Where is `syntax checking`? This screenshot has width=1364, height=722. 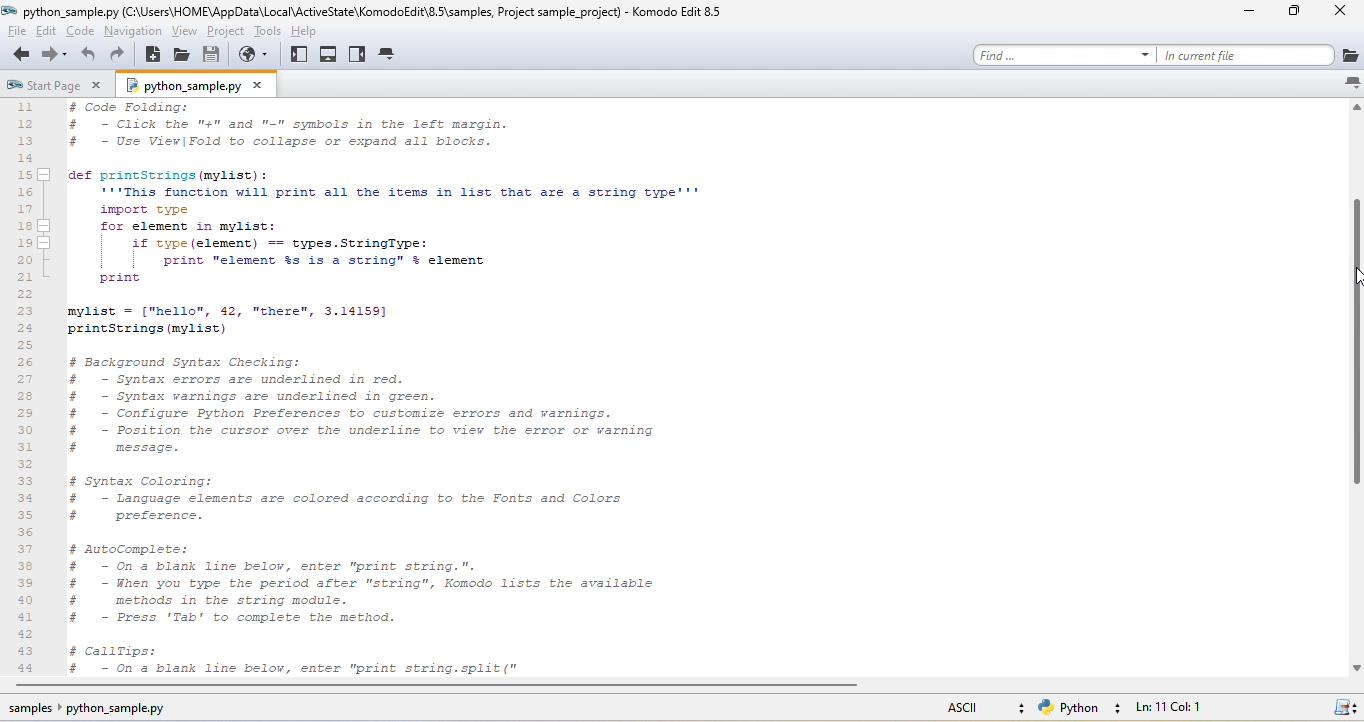 syntax checking is located at coordinates (1344, 705).